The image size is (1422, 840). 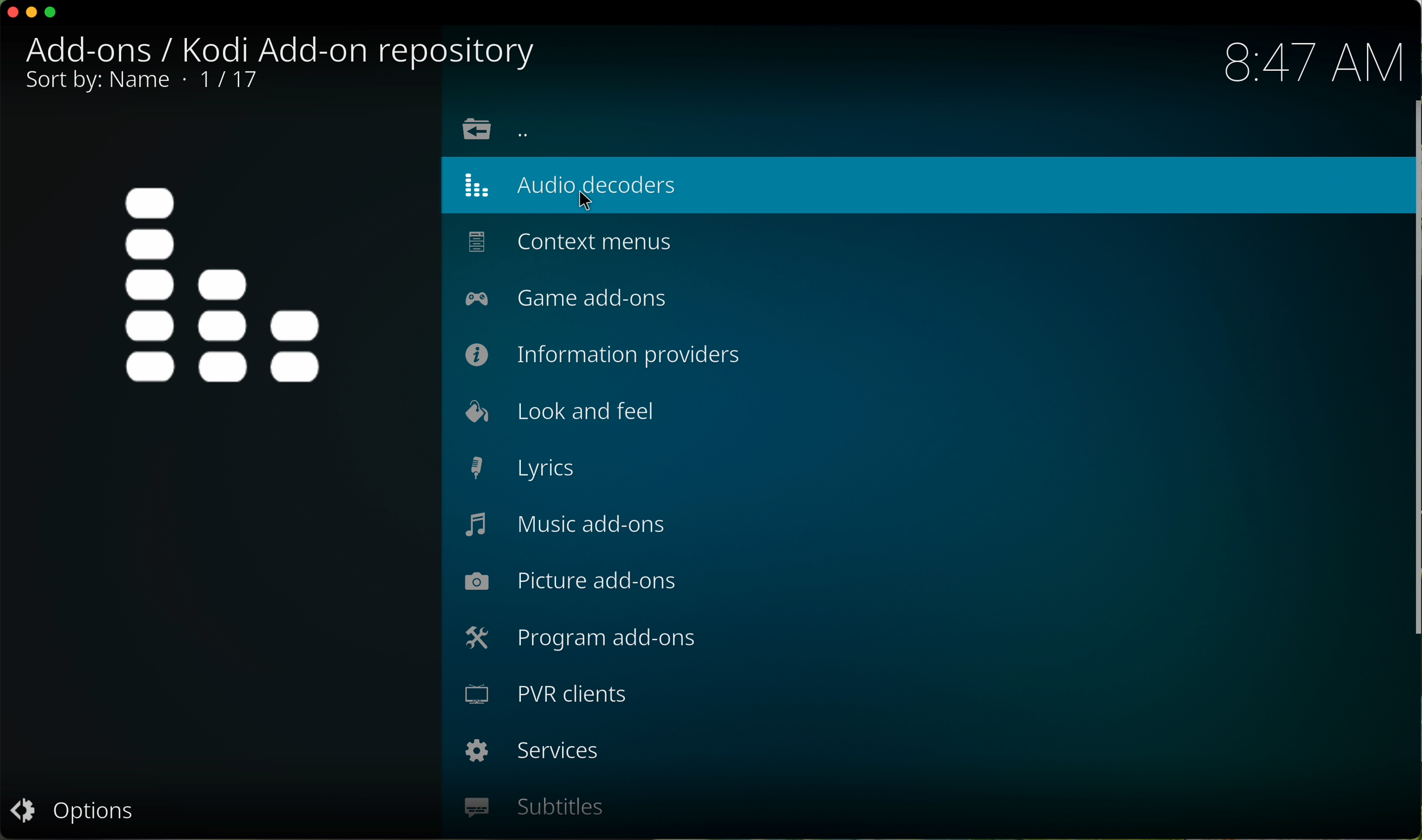 I want to click on services, so click(x=529, y=752).